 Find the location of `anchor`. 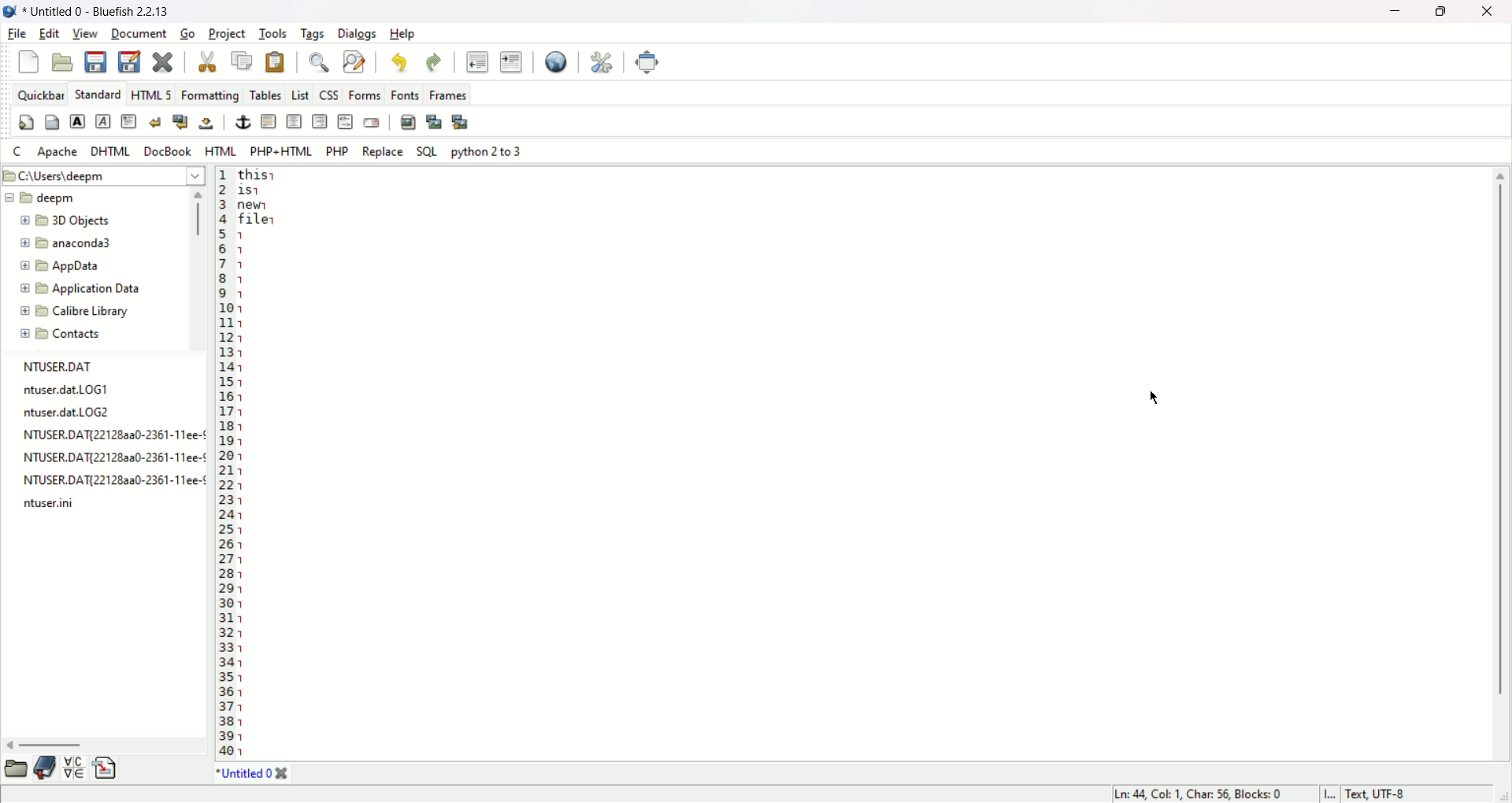

anchor is located at coordinates (243, 122).